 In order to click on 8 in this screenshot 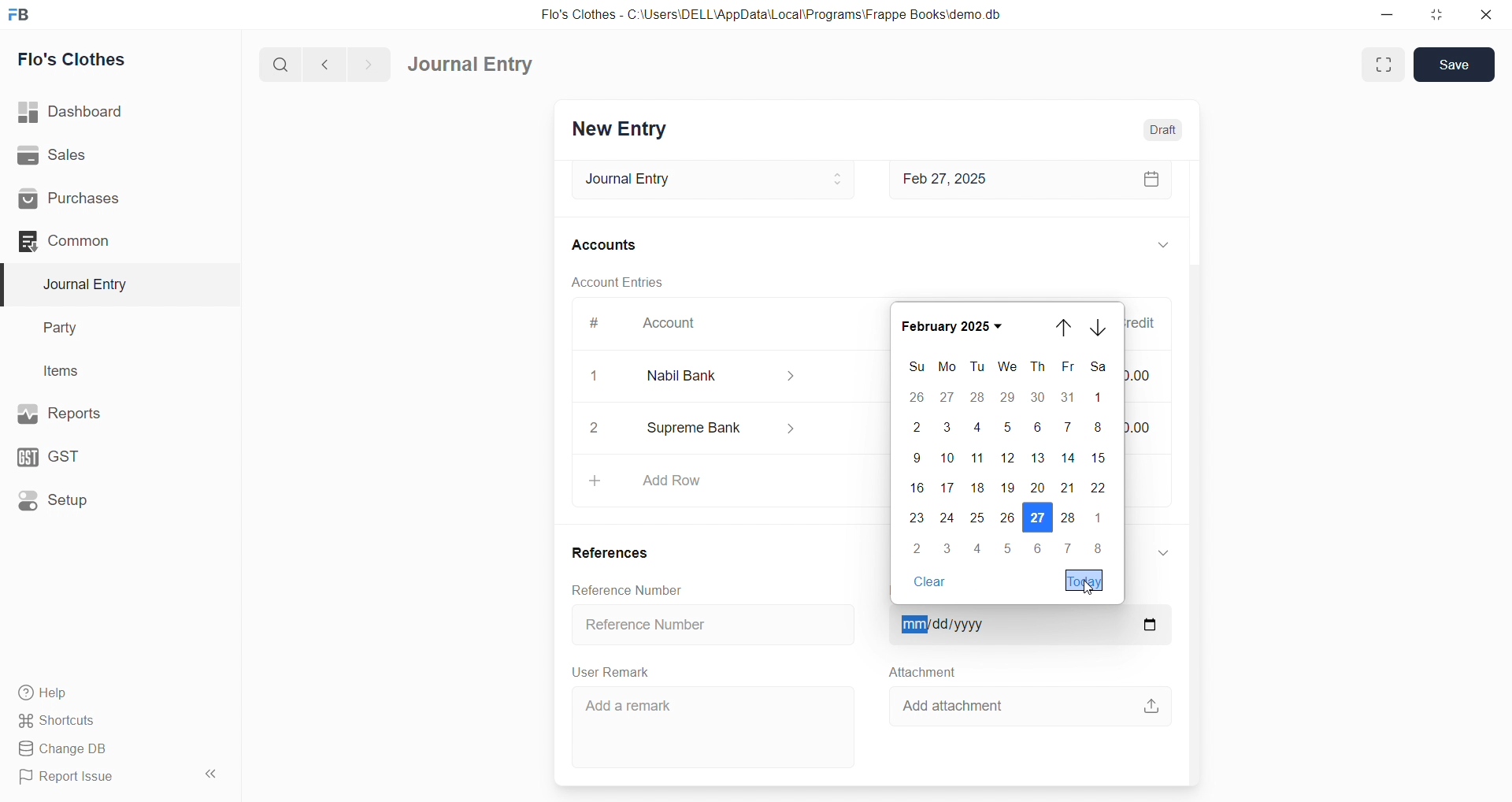, I will do `click(1098, 429)`.